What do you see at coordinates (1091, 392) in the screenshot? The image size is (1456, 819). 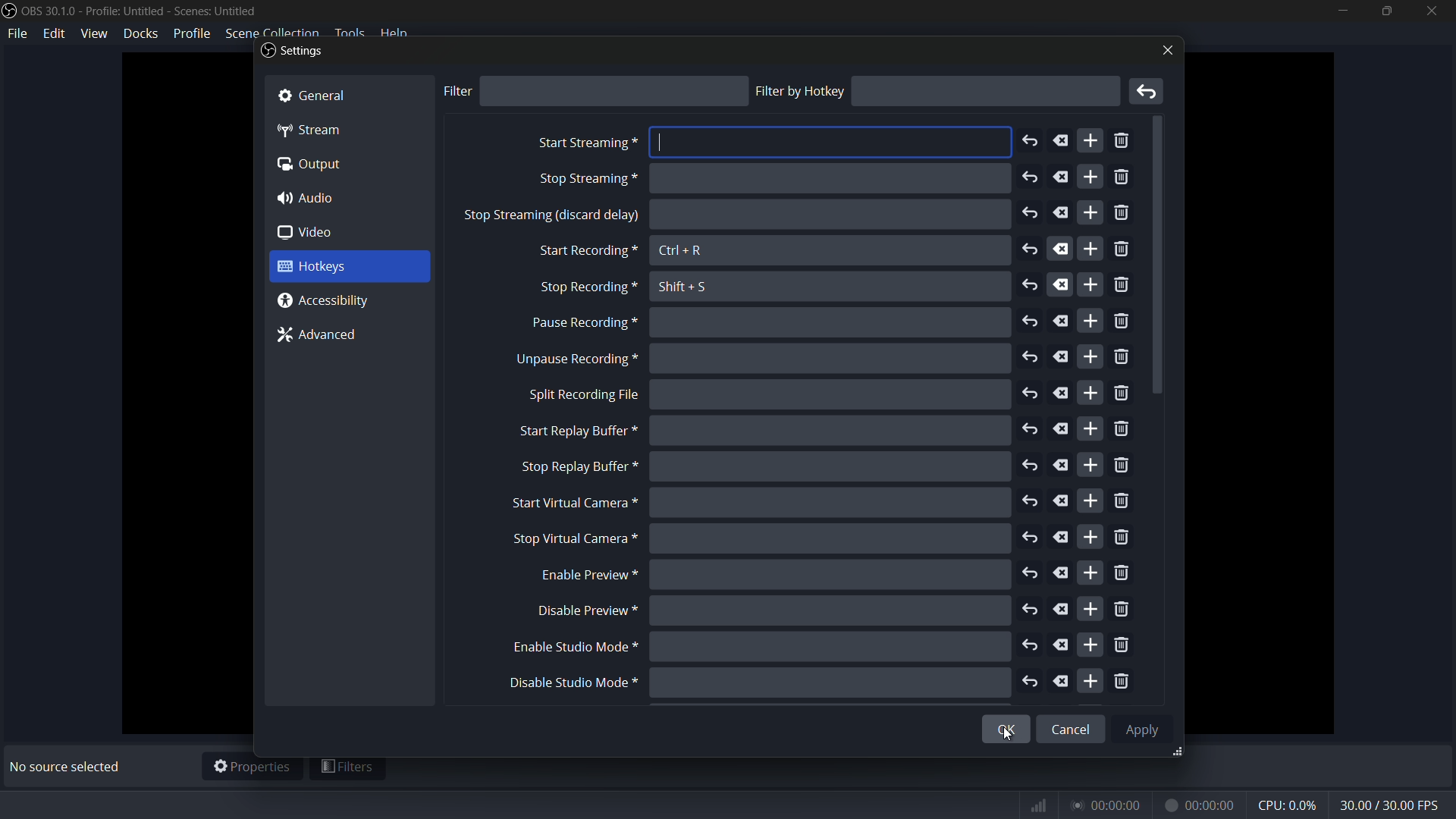 I see `add more` at bounding box center [1091, 392].